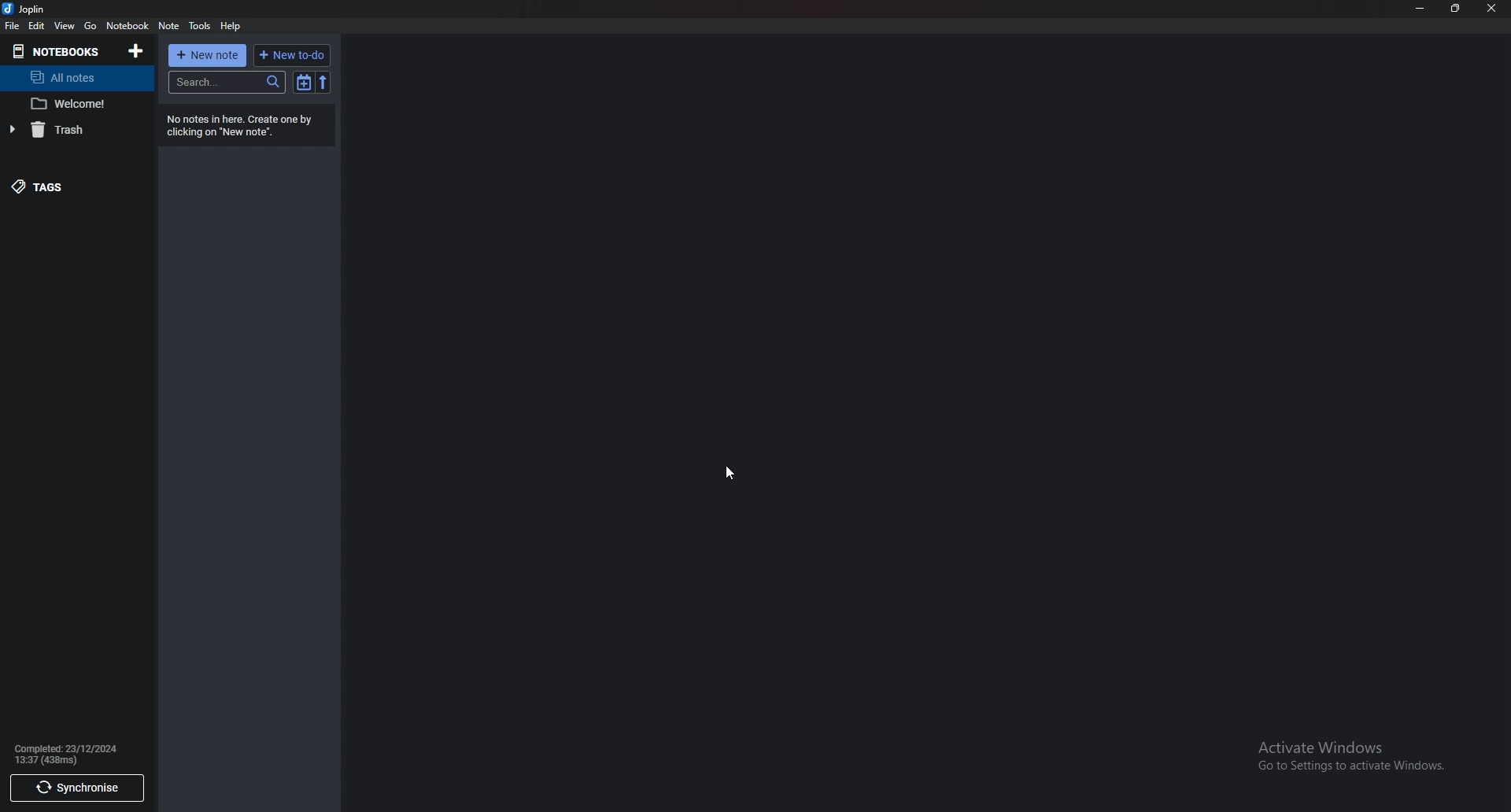 Image resolution: width=1511 pixels, height=812 pixels. What do you see at coordinates (1491, 8) in the screenshot?
I see `close` at bounding box center [1491, 8].